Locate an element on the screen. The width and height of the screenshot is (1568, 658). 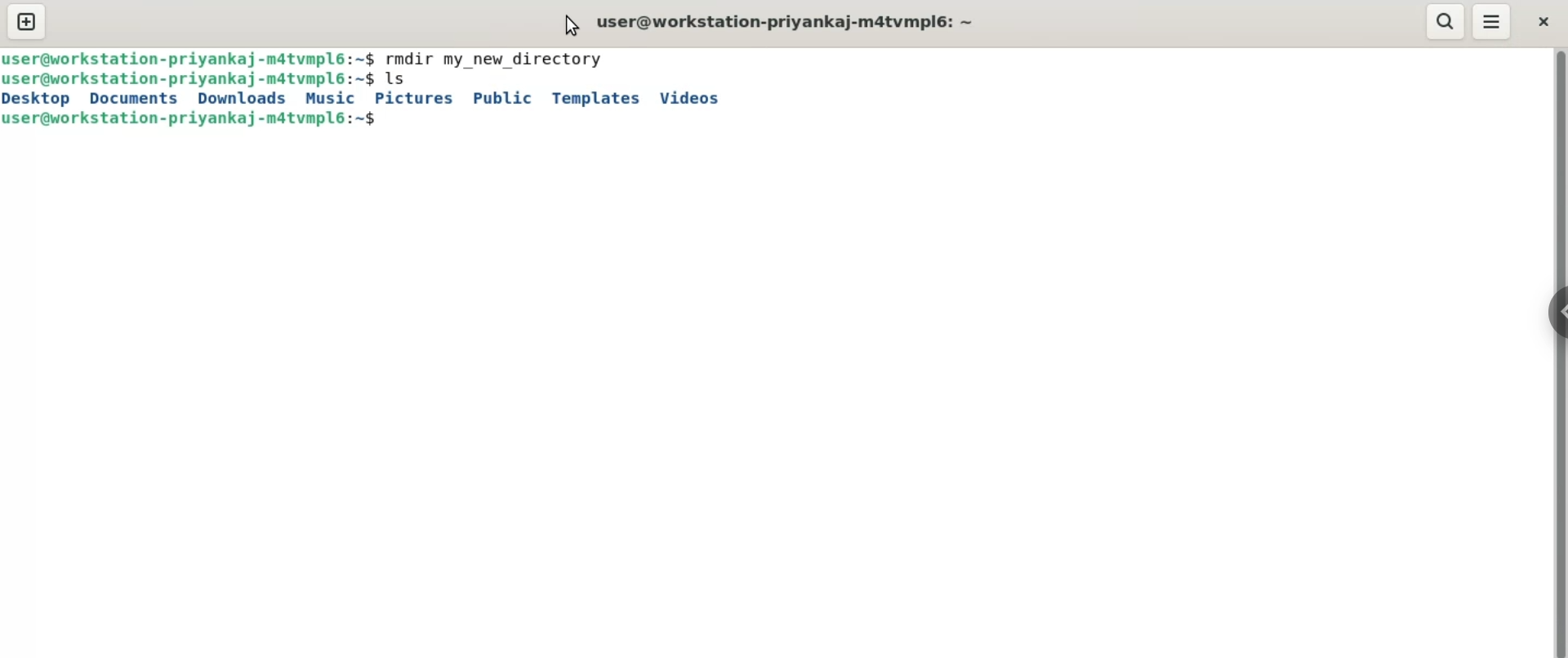
documents is located at coordinates (136, 98).